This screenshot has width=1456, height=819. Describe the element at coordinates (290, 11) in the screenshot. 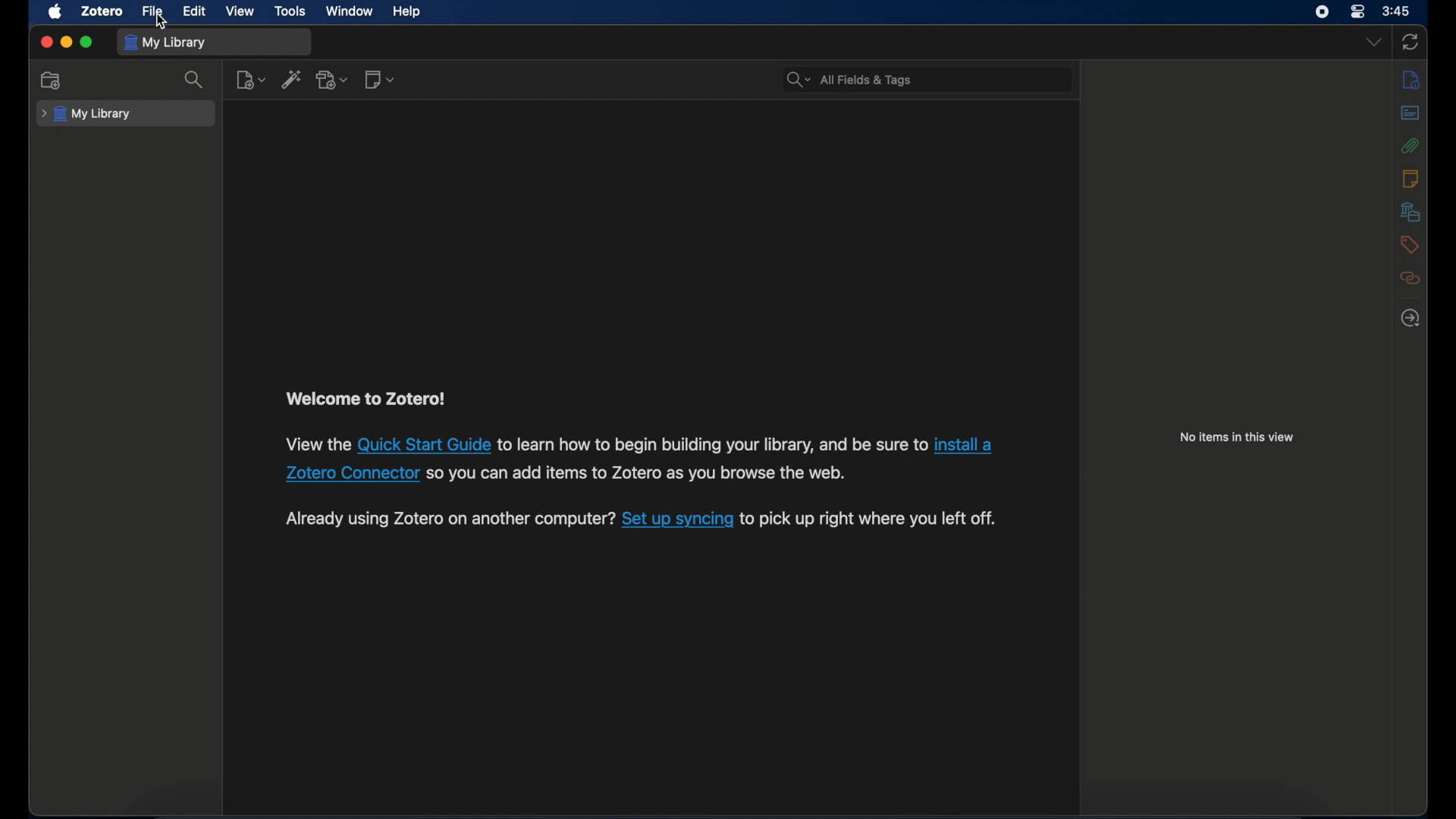

I see `tools` at that location.